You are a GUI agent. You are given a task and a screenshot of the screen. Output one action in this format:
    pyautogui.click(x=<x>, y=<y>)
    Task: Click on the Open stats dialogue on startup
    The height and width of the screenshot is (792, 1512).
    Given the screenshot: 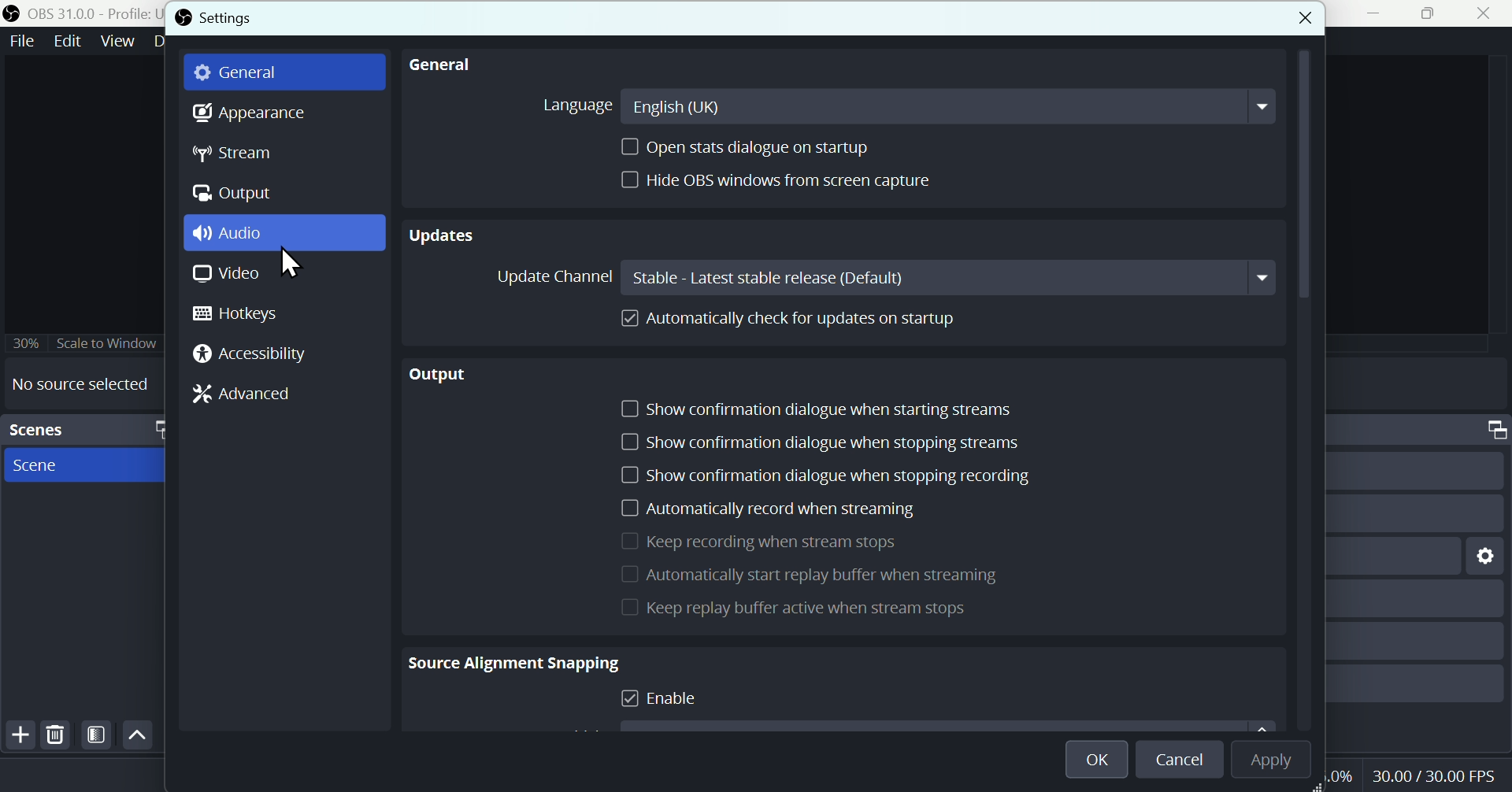 What is the action you would take?
    pyautogui.click(x=774, y=148)
    